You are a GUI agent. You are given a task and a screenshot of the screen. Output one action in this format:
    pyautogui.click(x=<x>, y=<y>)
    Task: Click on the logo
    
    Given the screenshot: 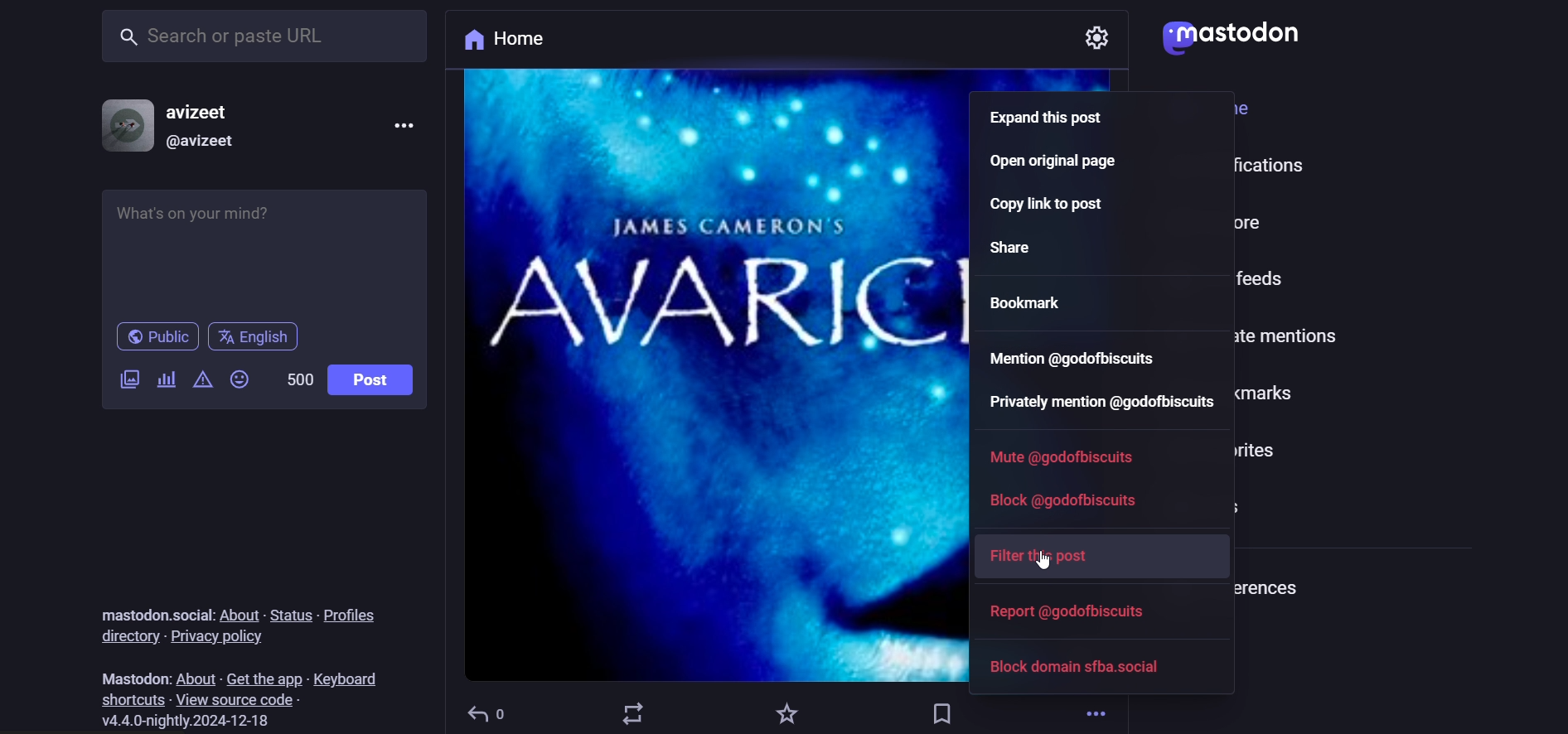 What is the action you would take?
    pyautogui.click(x=1235, y=37)
    